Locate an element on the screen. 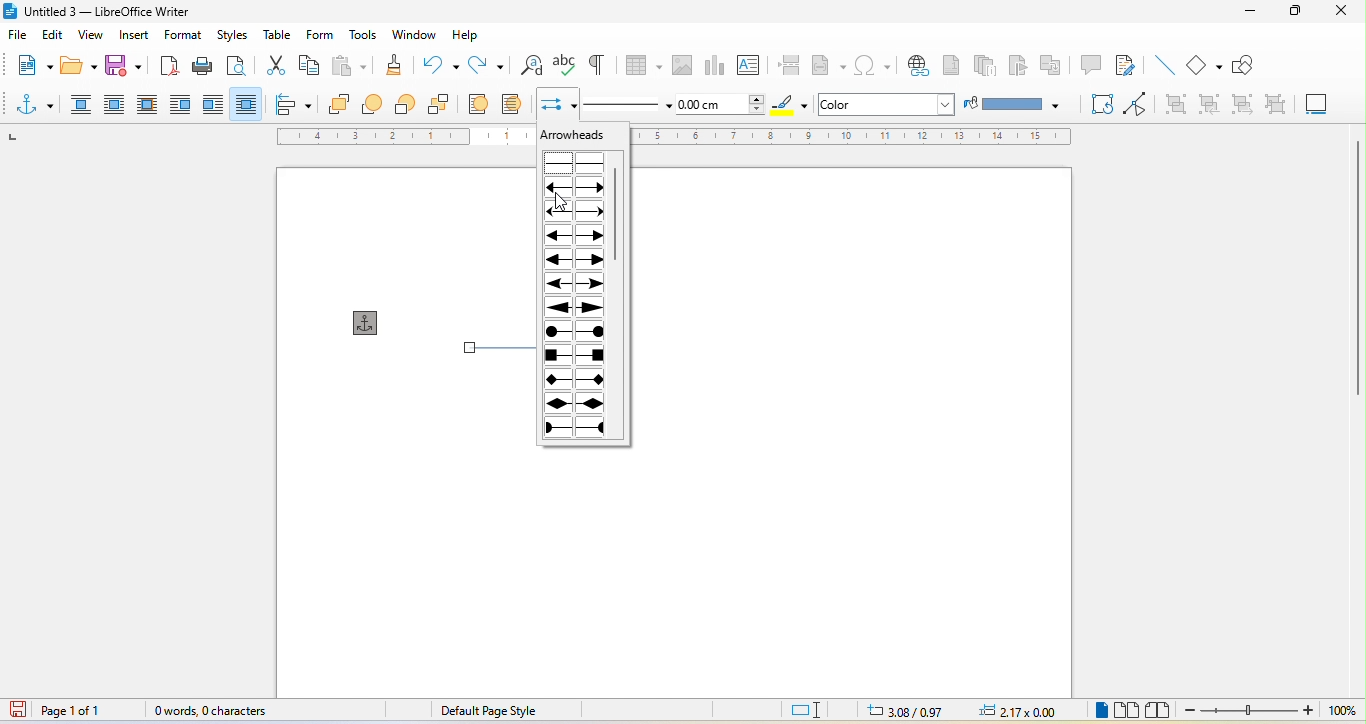  group is located at coordinates (1175, 103).